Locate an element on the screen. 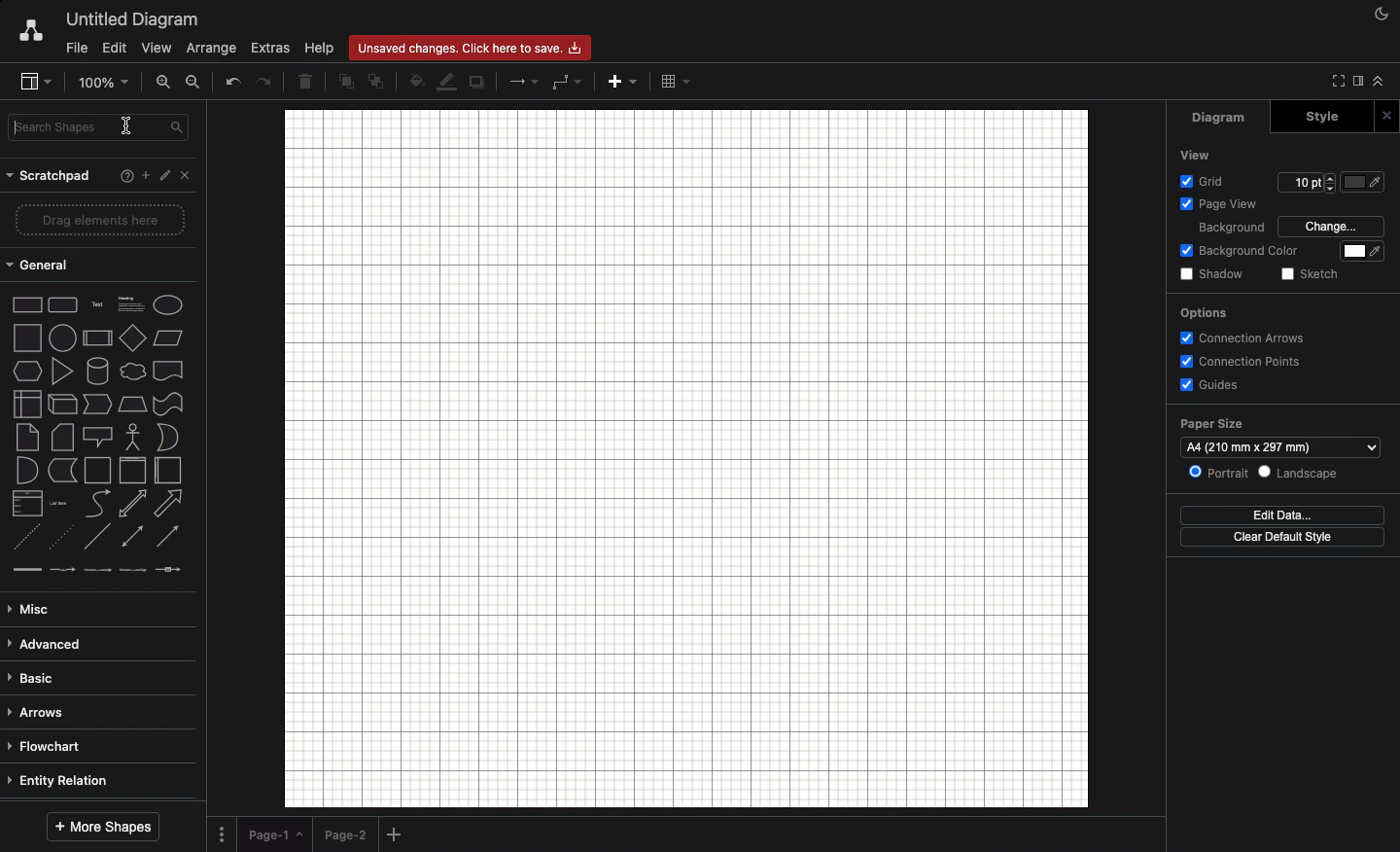 The width and height of the screenshot is (1400, 852). Close is located at coordinates (188, 175).